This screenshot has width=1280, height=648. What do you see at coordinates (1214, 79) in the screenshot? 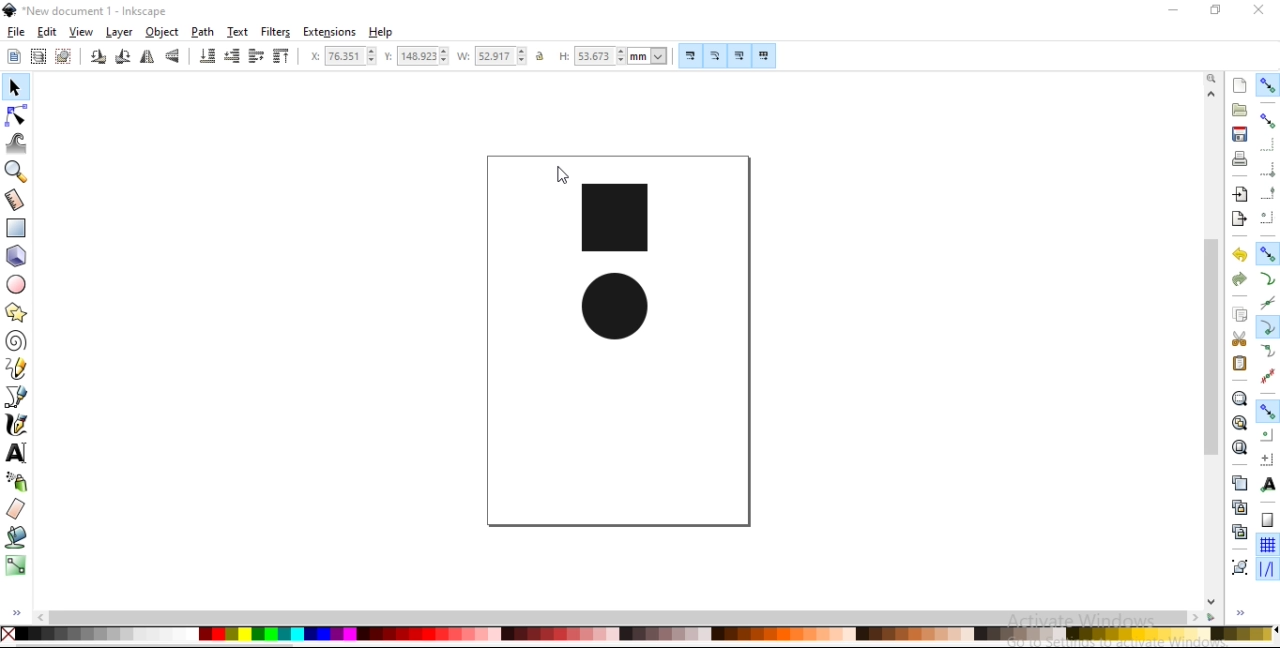
I see `zoom` at bounding box center [1214, 79].